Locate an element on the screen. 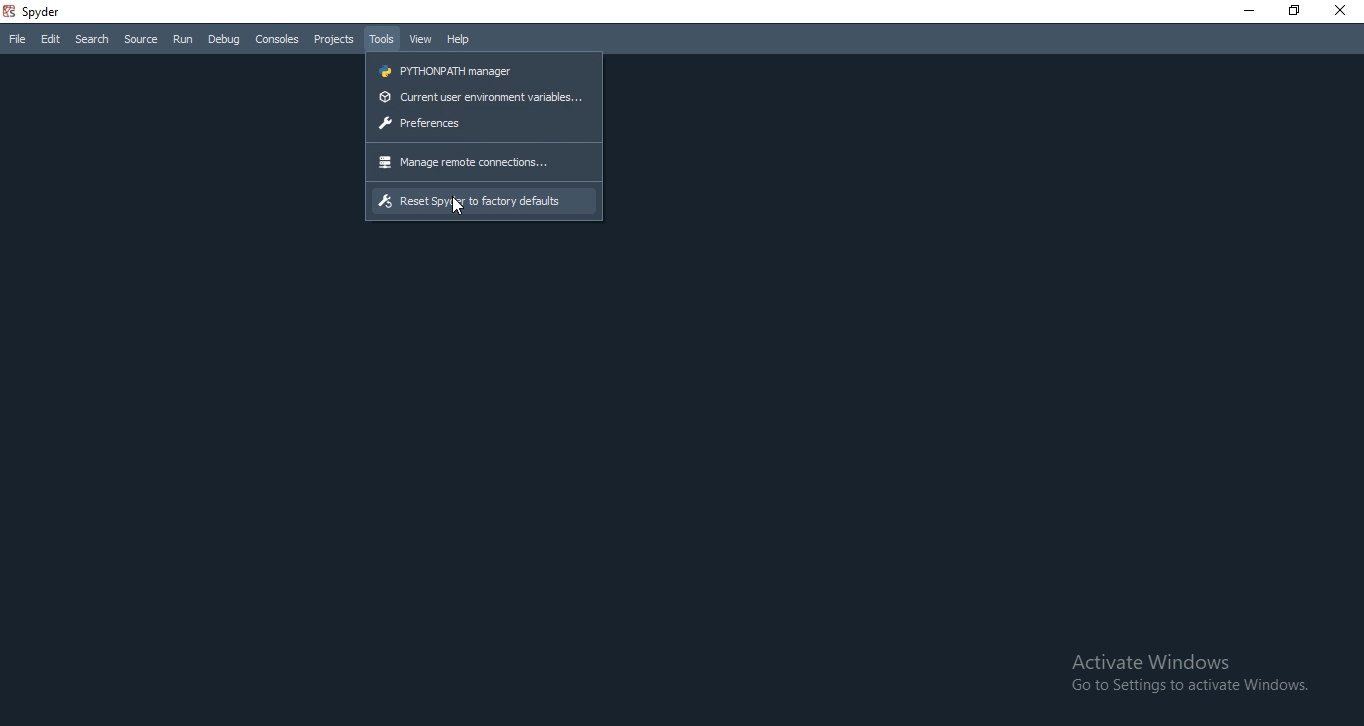  Consoles is located at coordinates (276, 39).